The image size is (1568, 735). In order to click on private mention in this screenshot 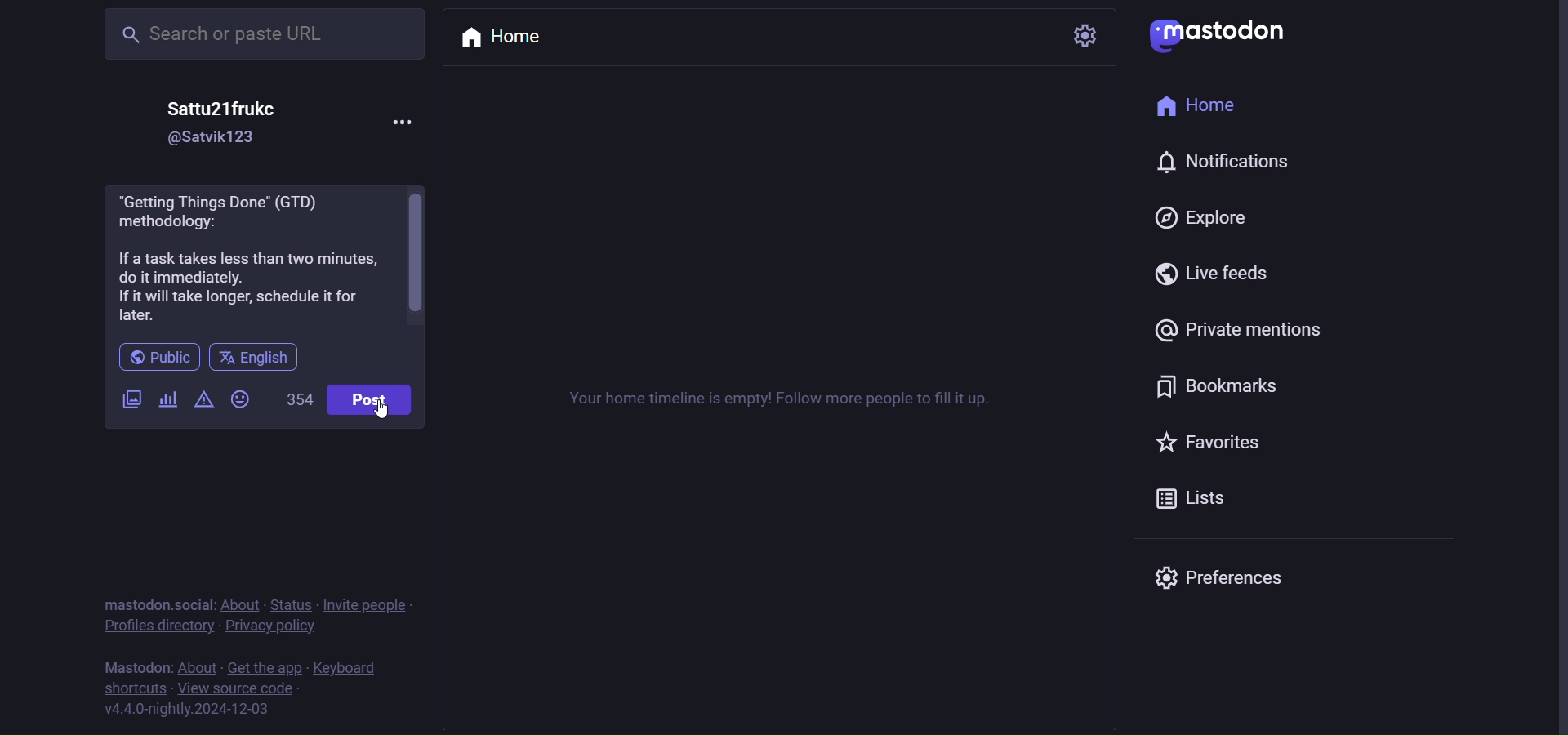, I will do `click(1245, 330)`.